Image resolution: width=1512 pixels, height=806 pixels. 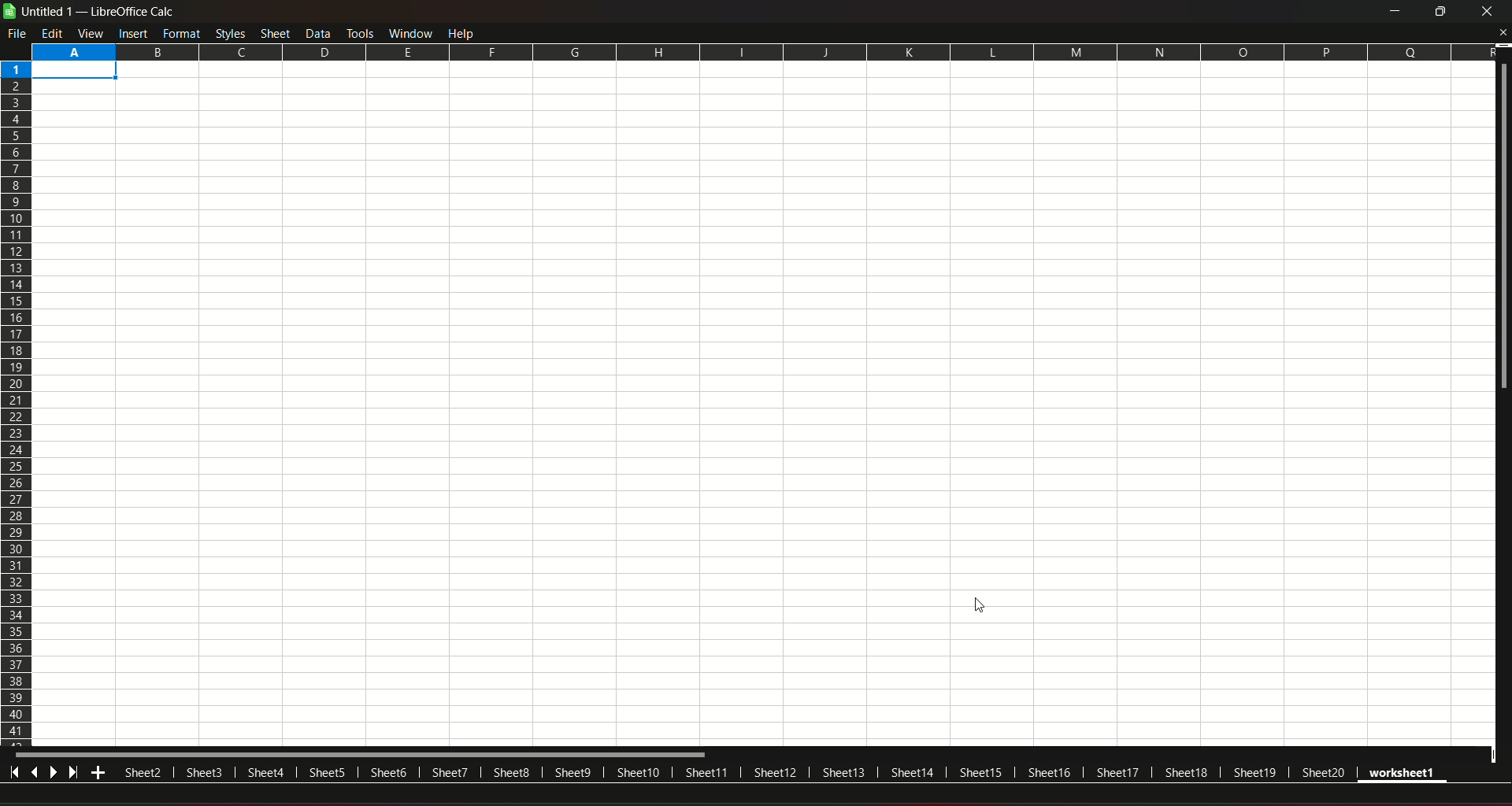 What do you see at coordinates (1503, 235) in the screenshot?
I see `vertical scroll` at bounding box center [1503, 235].